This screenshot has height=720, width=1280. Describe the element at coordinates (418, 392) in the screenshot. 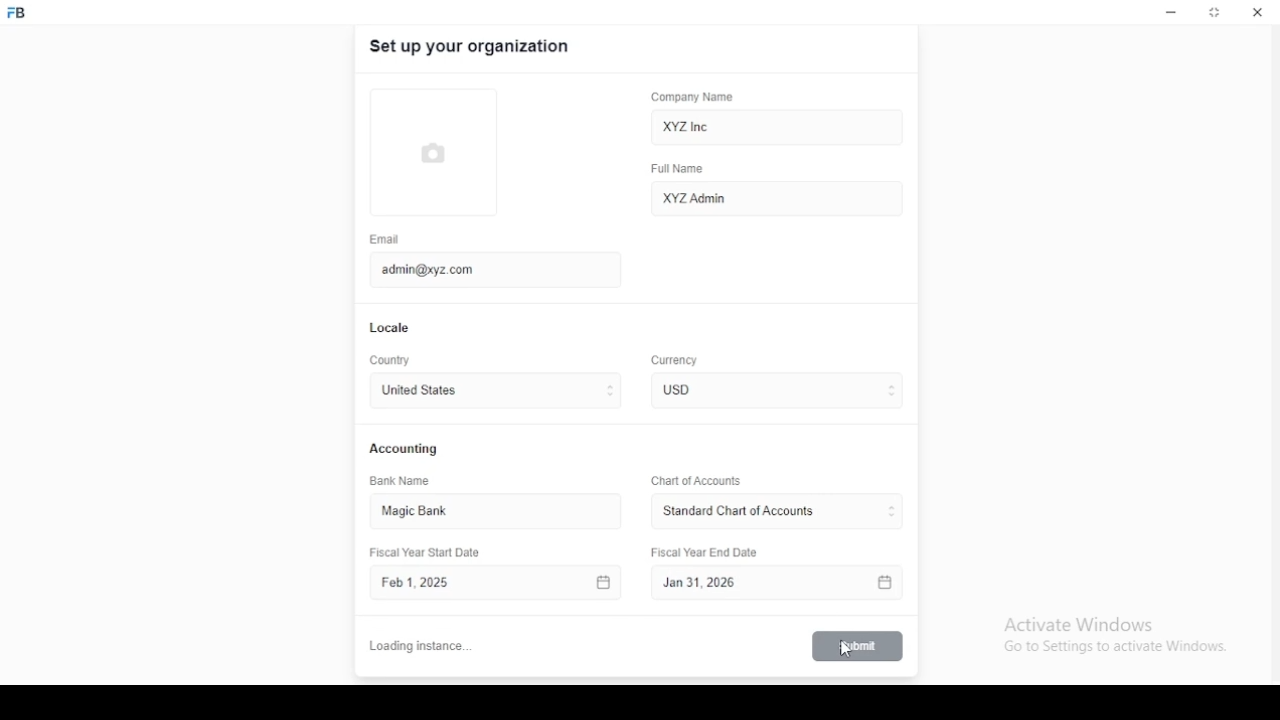

I see `united states` at that location.